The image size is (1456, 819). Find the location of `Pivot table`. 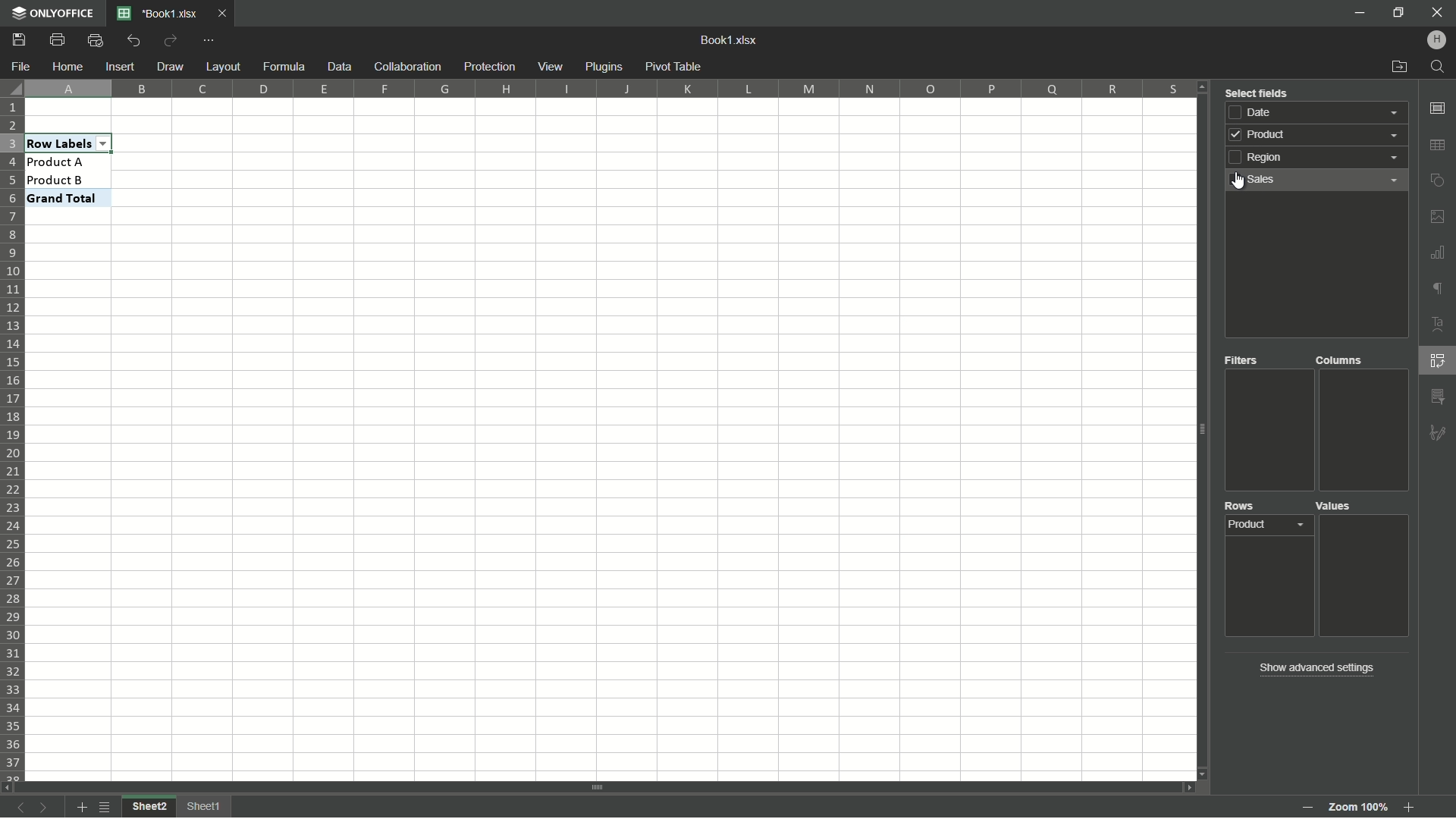

Pivot table is located at coordinates (675, 67).